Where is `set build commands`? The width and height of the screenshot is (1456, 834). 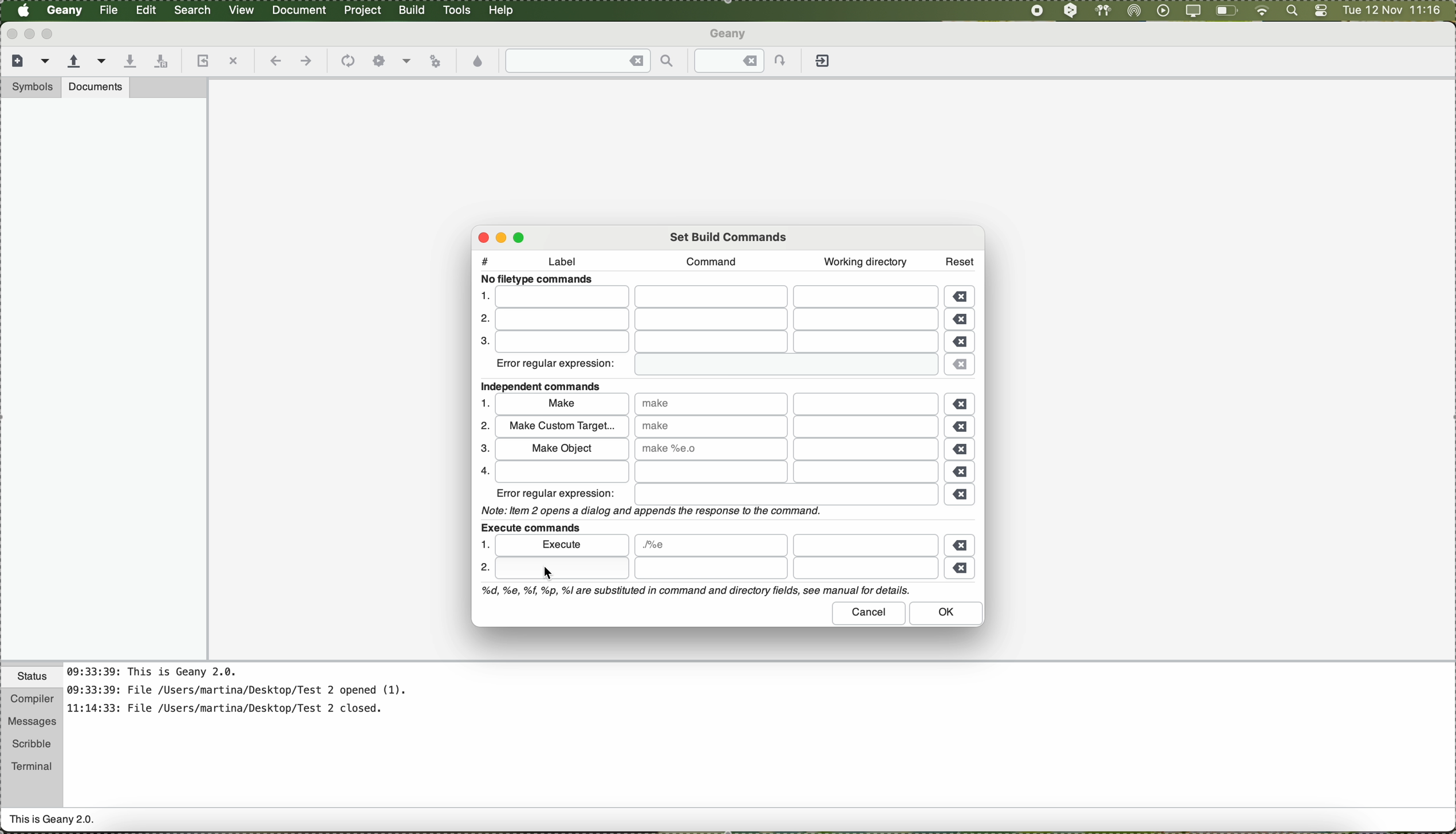 set build commands is located at coordinates (730, 235).